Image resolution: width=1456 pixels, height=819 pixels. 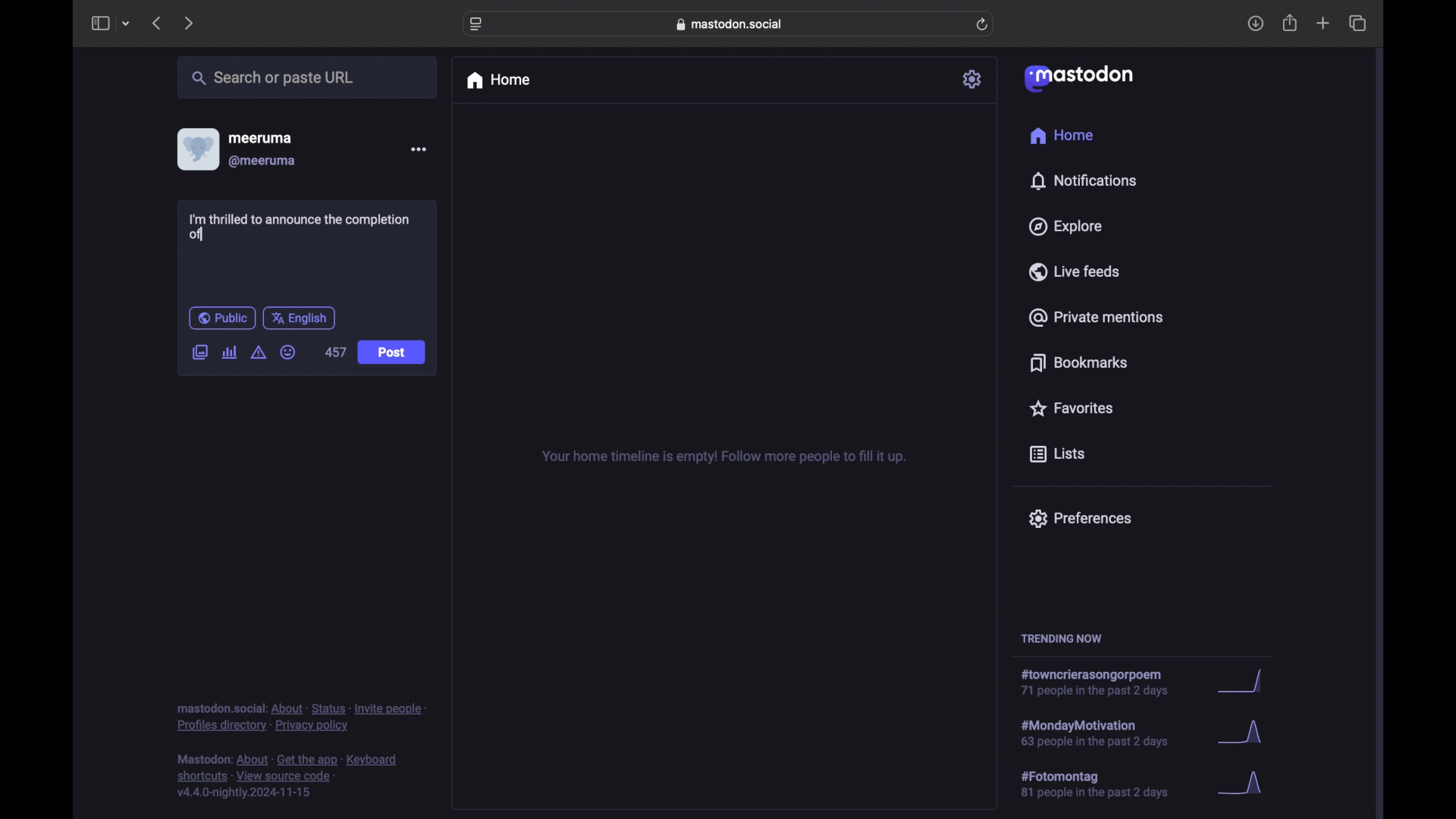 I want to click on text cursor, so click(x=204, y=236).